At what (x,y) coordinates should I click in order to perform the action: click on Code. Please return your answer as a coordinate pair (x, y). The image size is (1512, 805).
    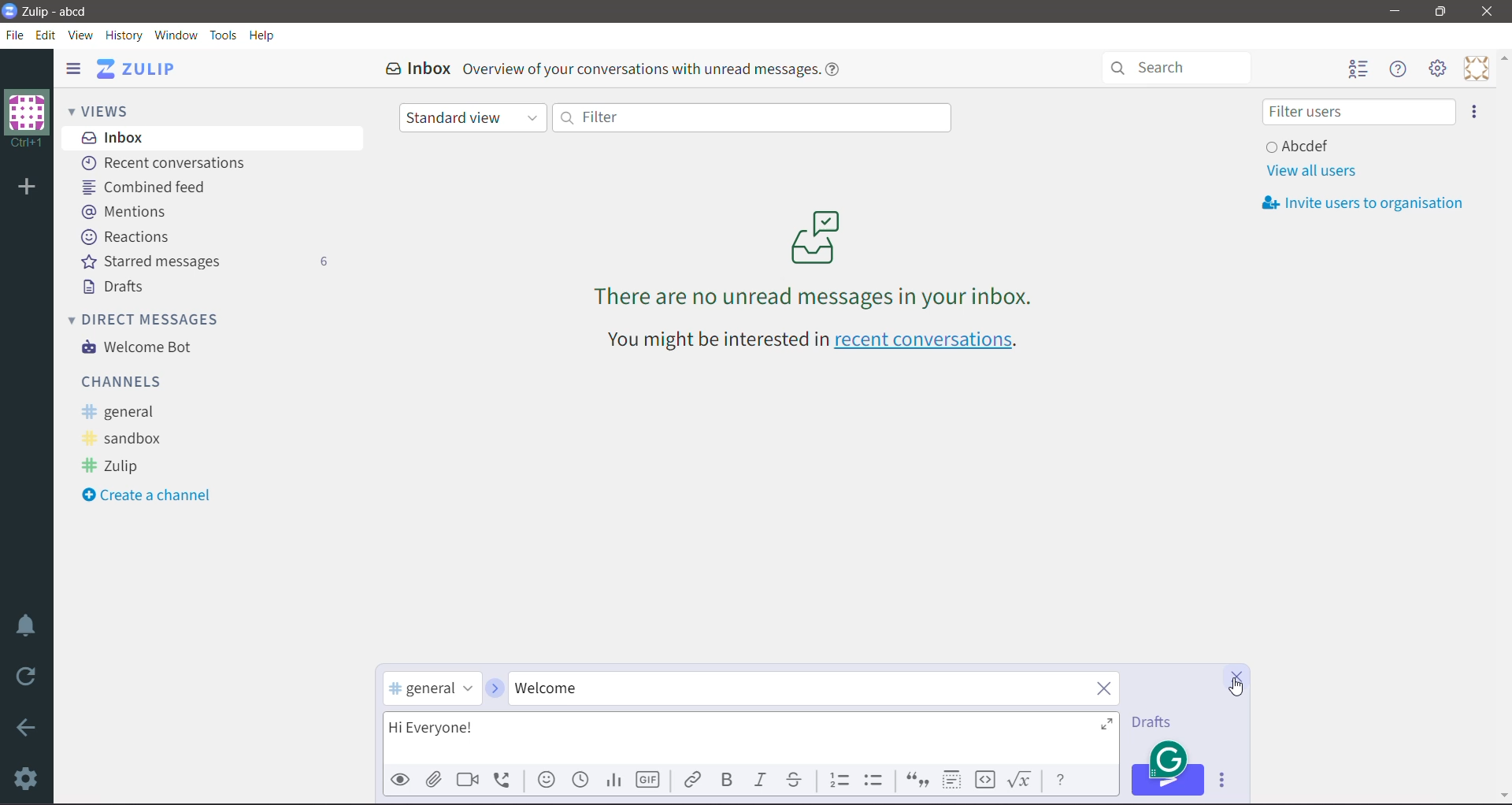
    Looking at the image, I should click on (985, 781).